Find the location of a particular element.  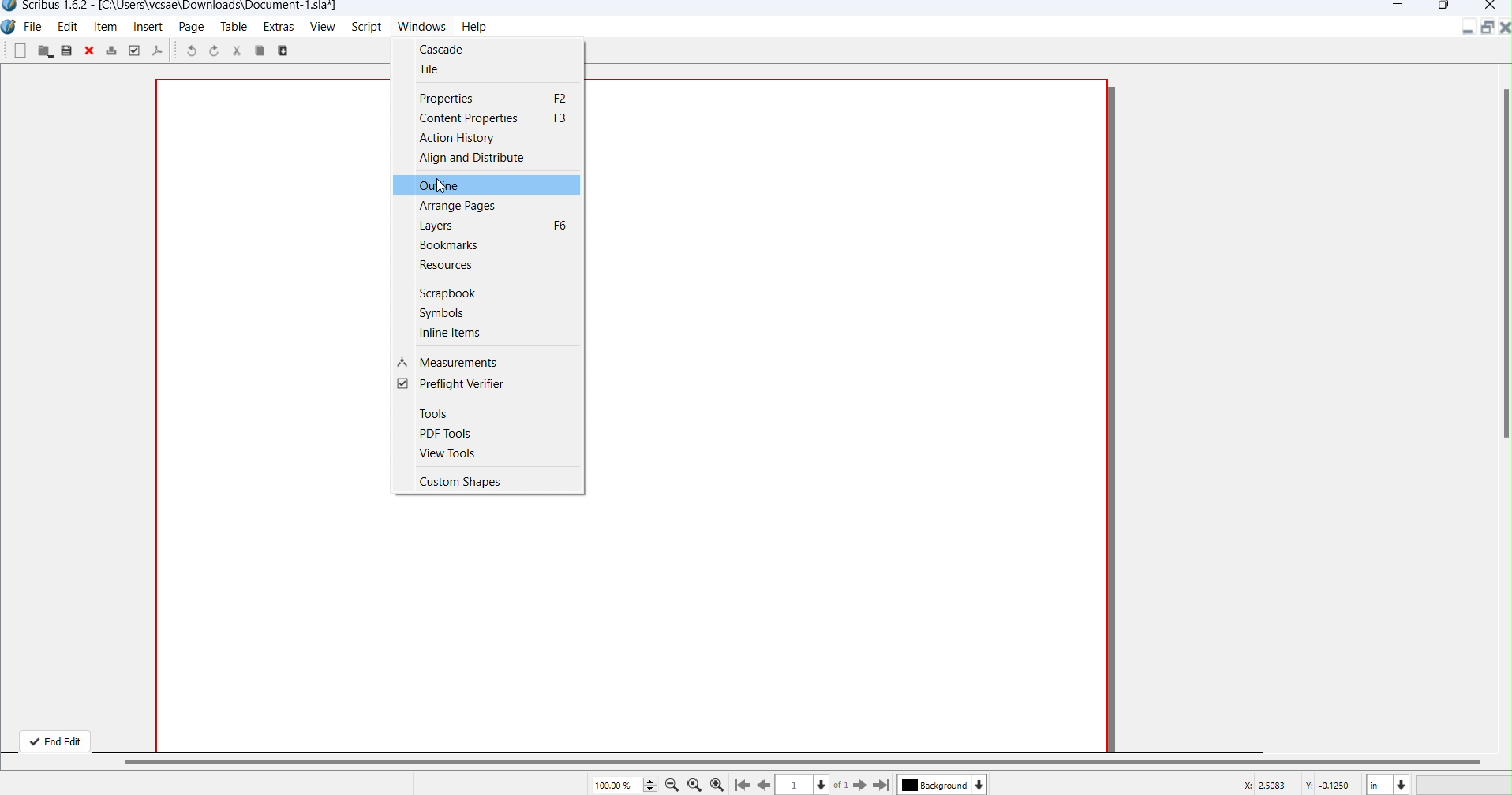

Tools is located at coordinates (436, 412).